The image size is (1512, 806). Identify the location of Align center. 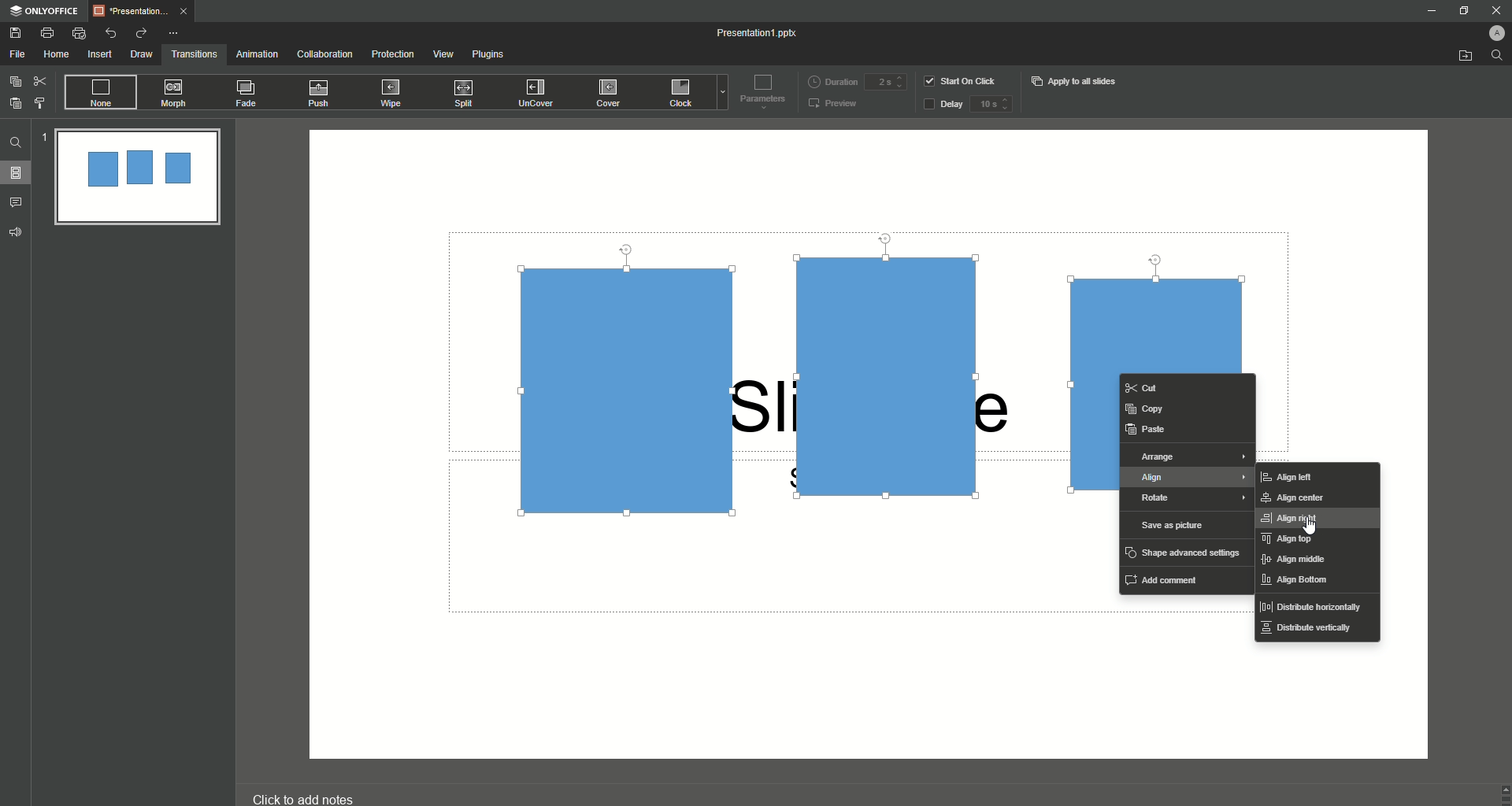
(1300, 498).